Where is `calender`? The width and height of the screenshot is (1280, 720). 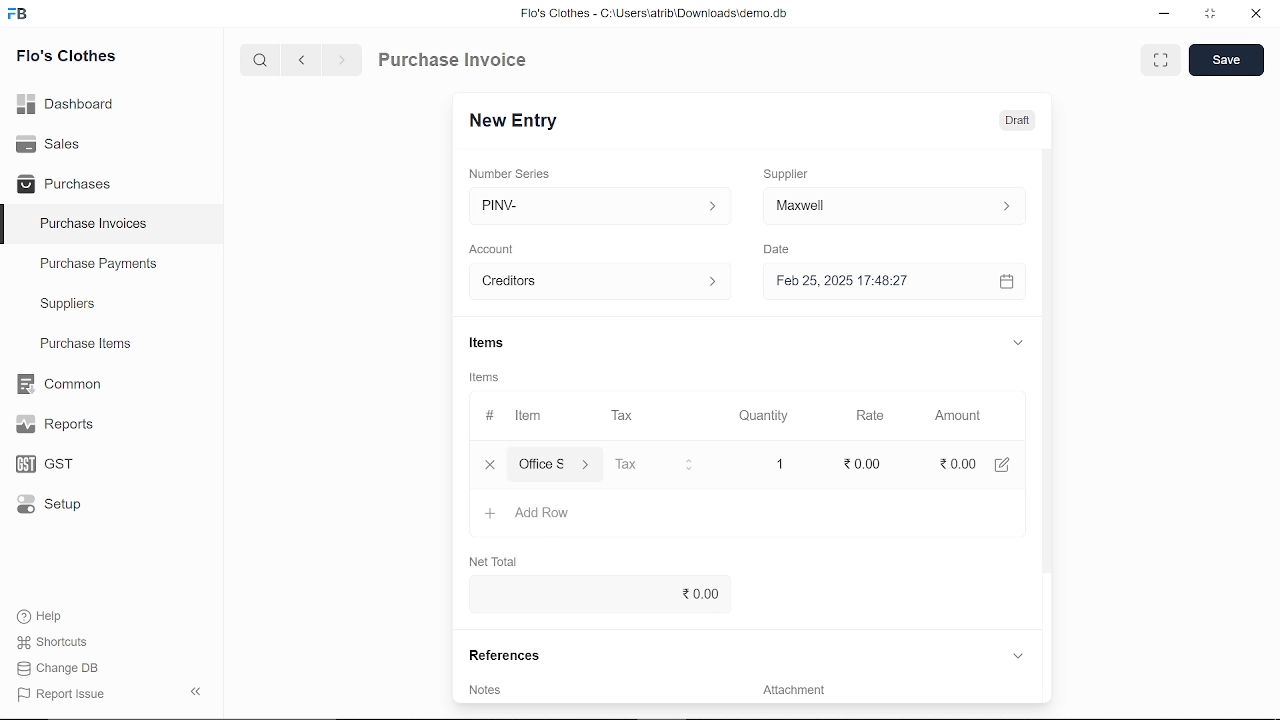 calender is located at coordinates (1009, 282).